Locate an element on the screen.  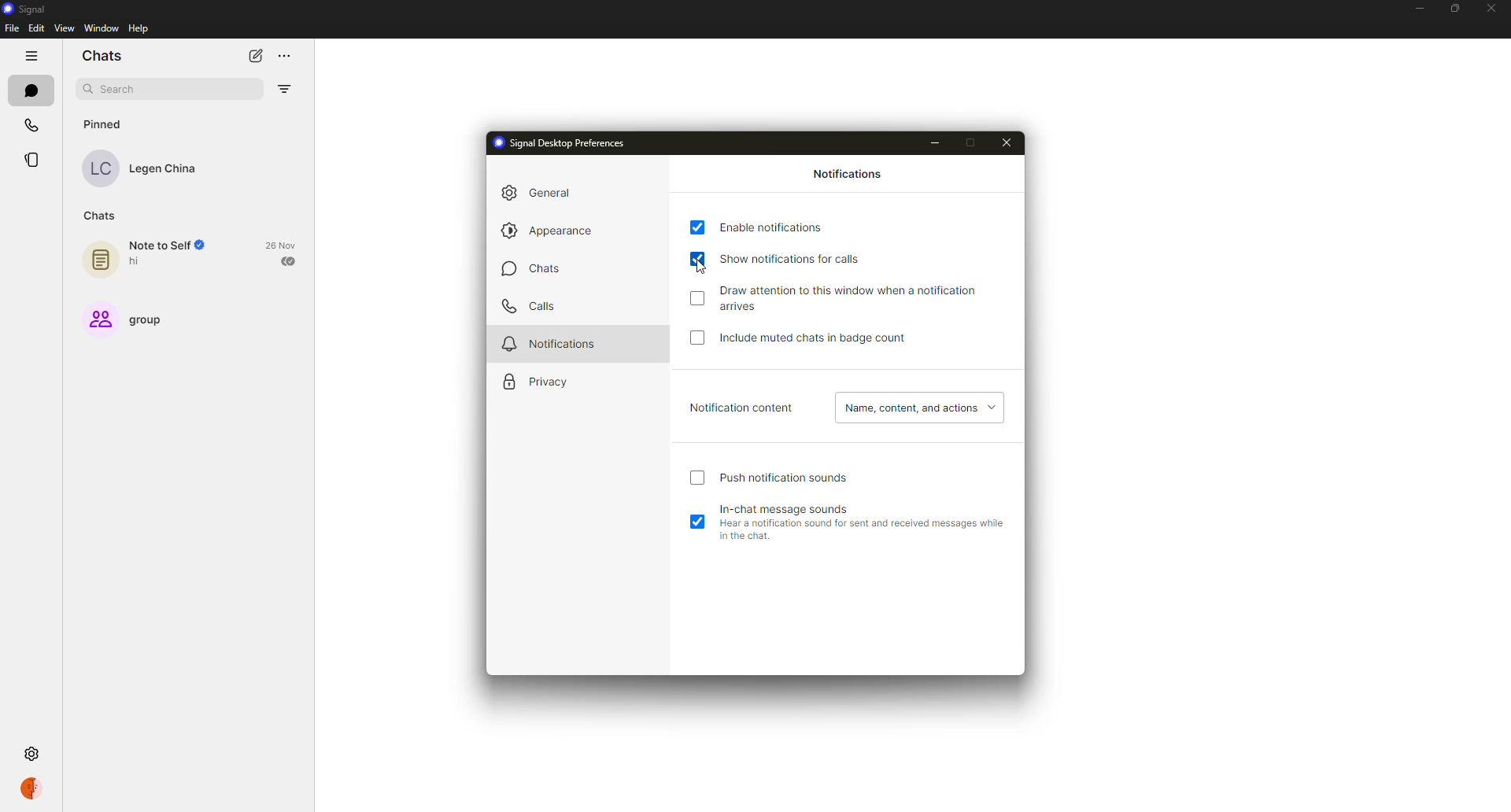
chats is located at coordinates (535, 268).